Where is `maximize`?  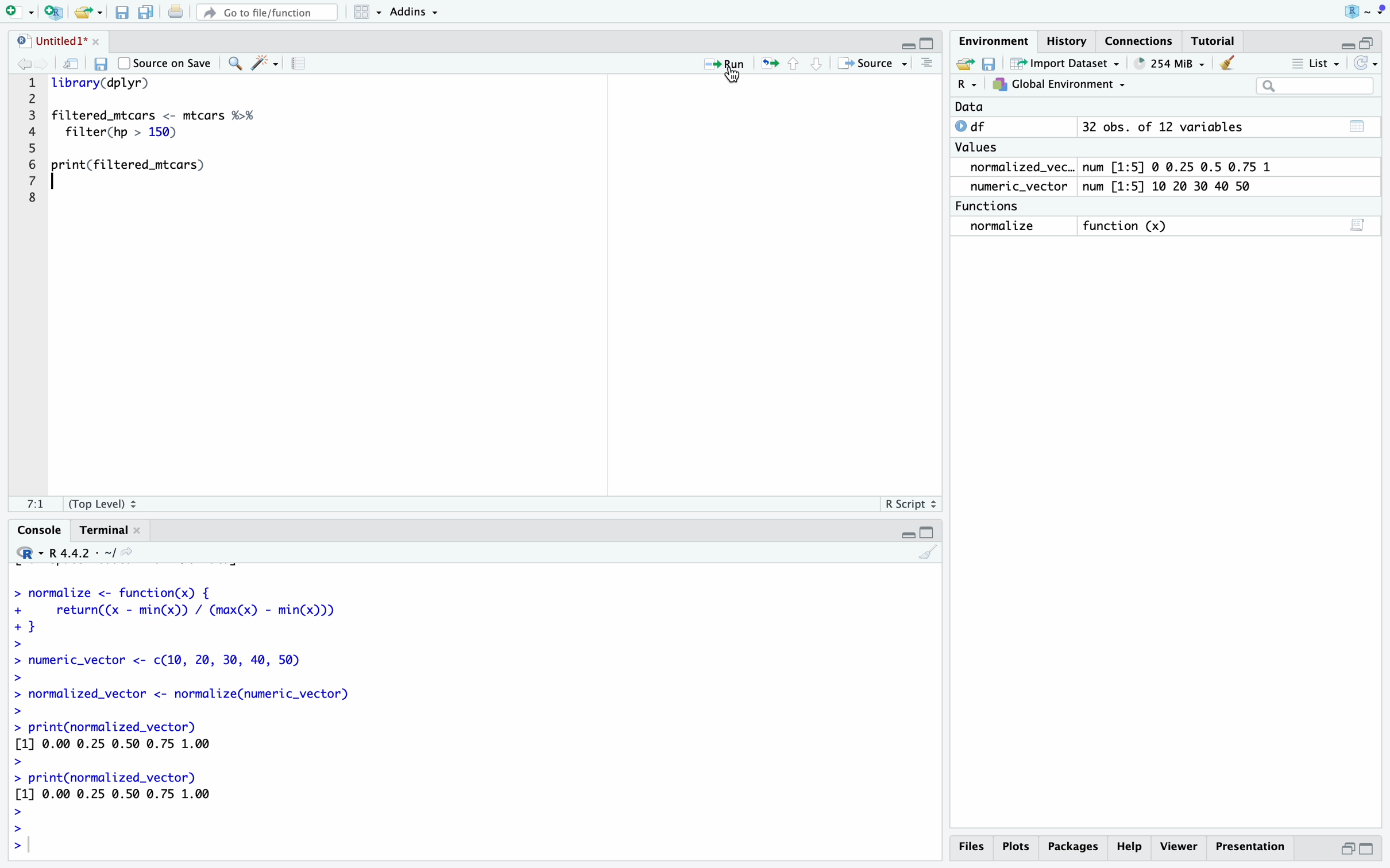
maximize is located at coordinates (1368, 43).